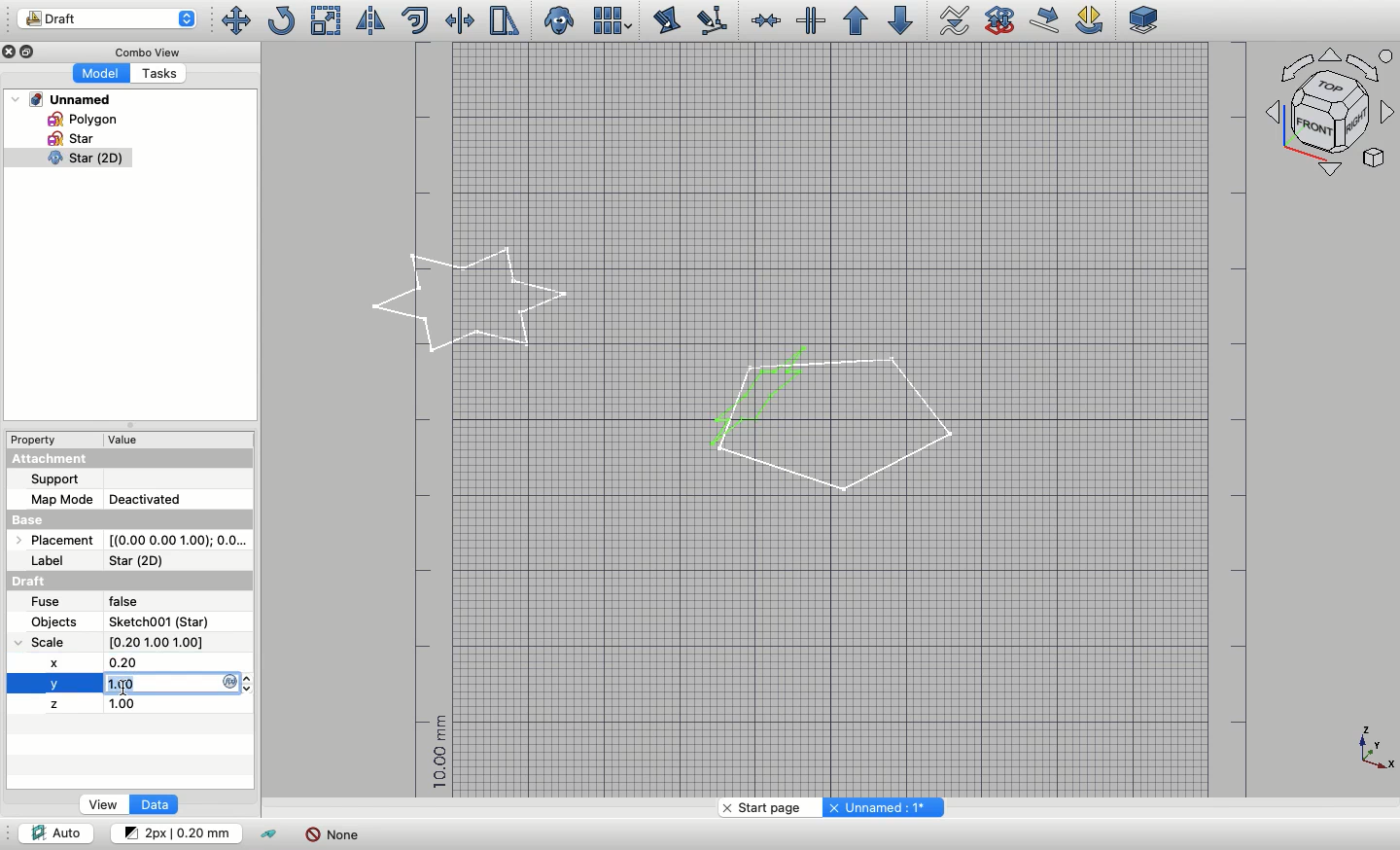  Describe the element at coordinates (415, 20) in the screenshot. I see `Offset` at that location.